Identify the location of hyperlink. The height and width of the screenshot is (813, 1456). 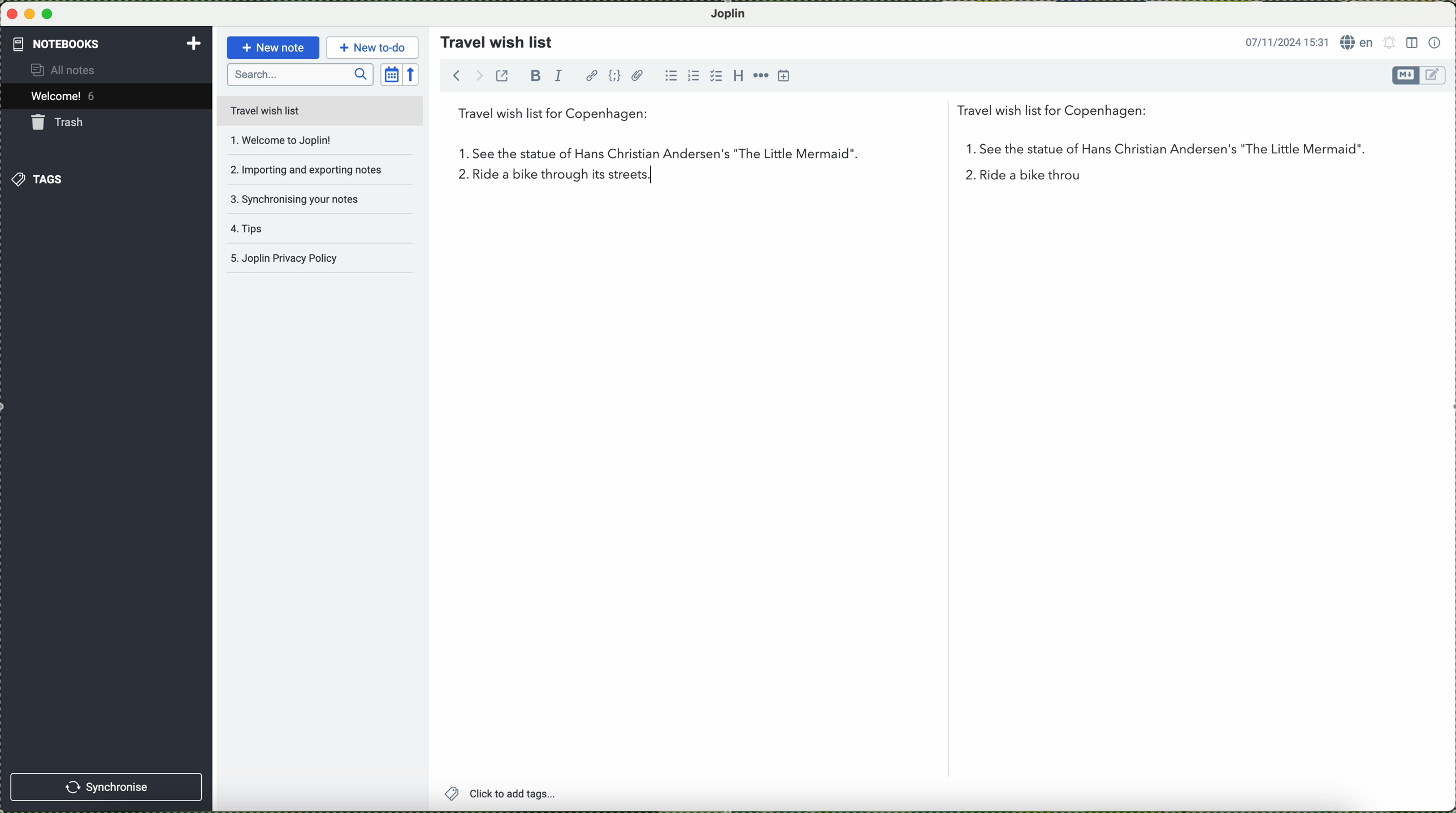
(591, 75).